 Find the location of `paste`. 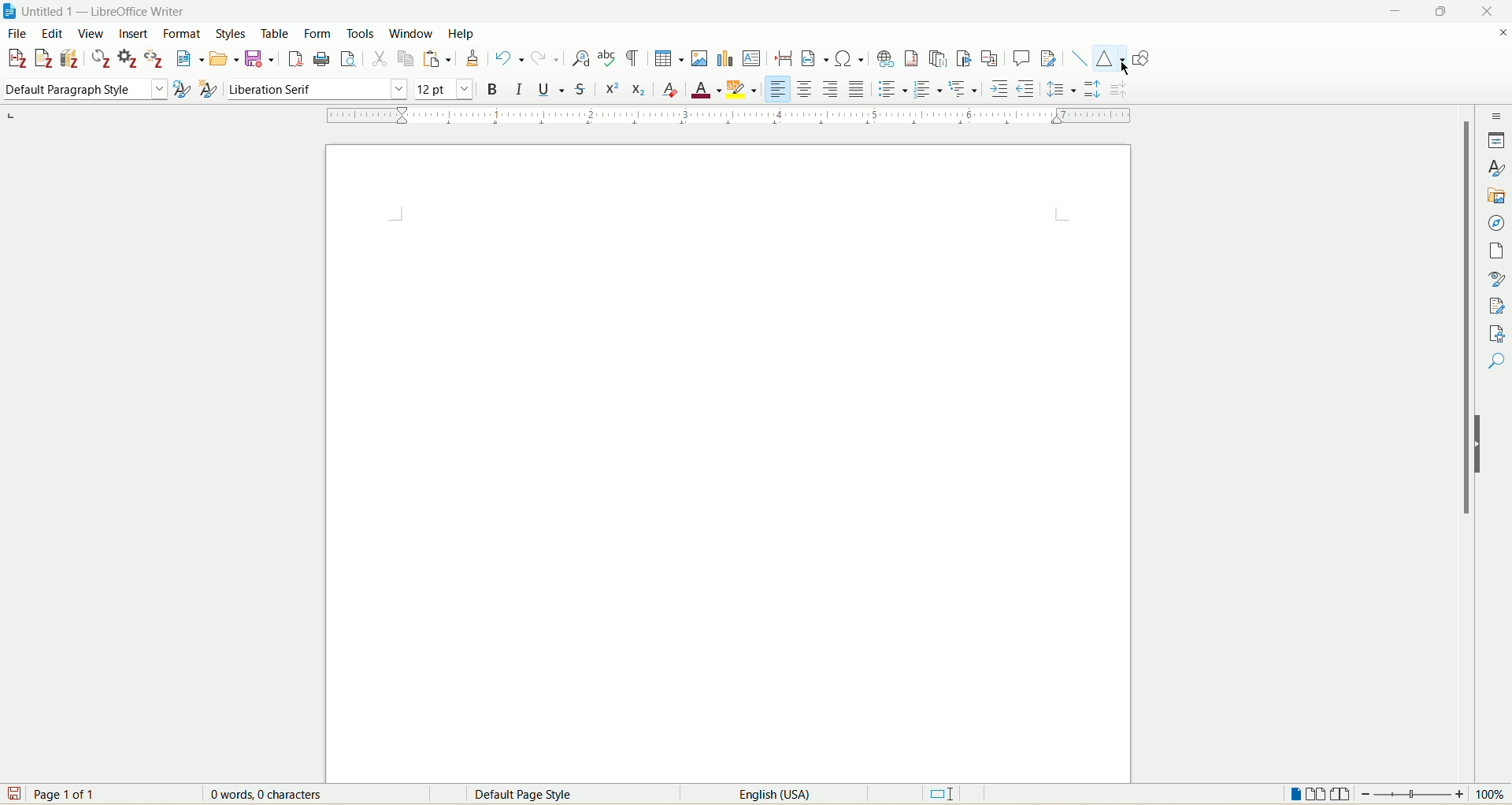

paste is located at coordinates (437, 59).